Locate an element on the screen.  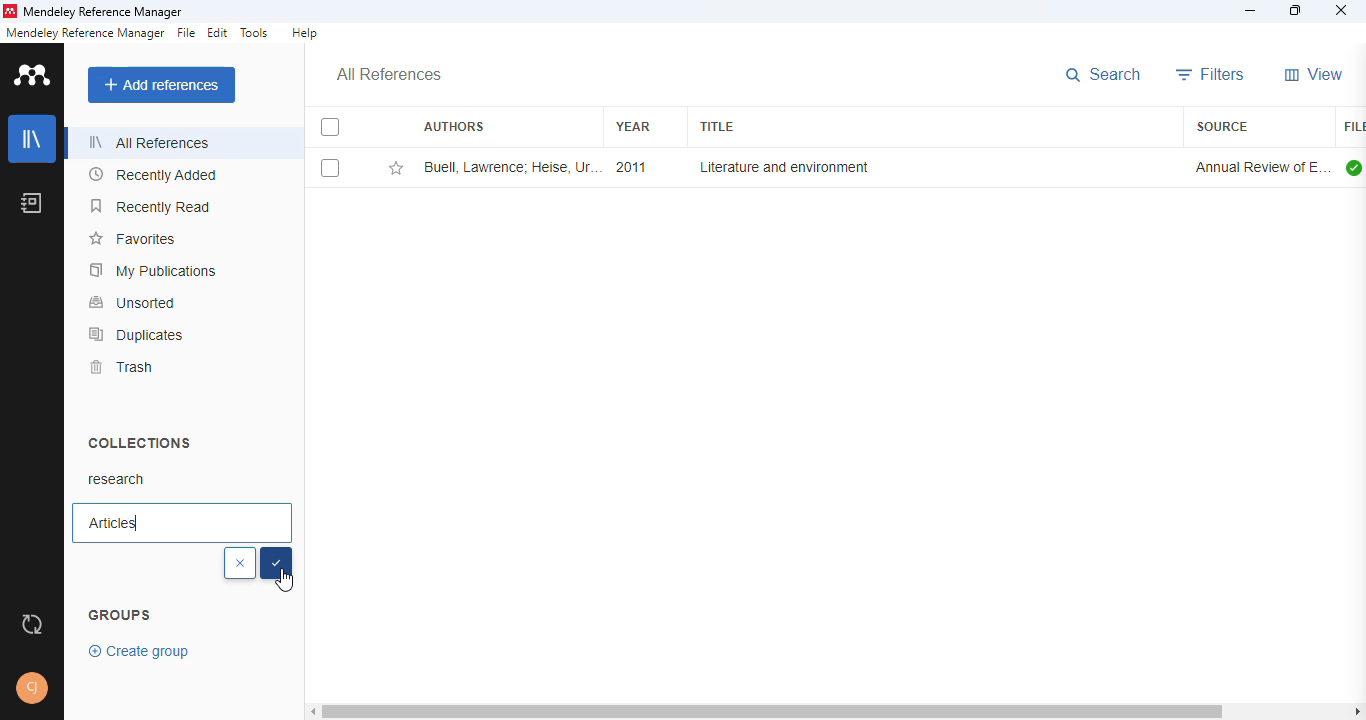
horizontal scroll bar is located at coordinates (772, 711).